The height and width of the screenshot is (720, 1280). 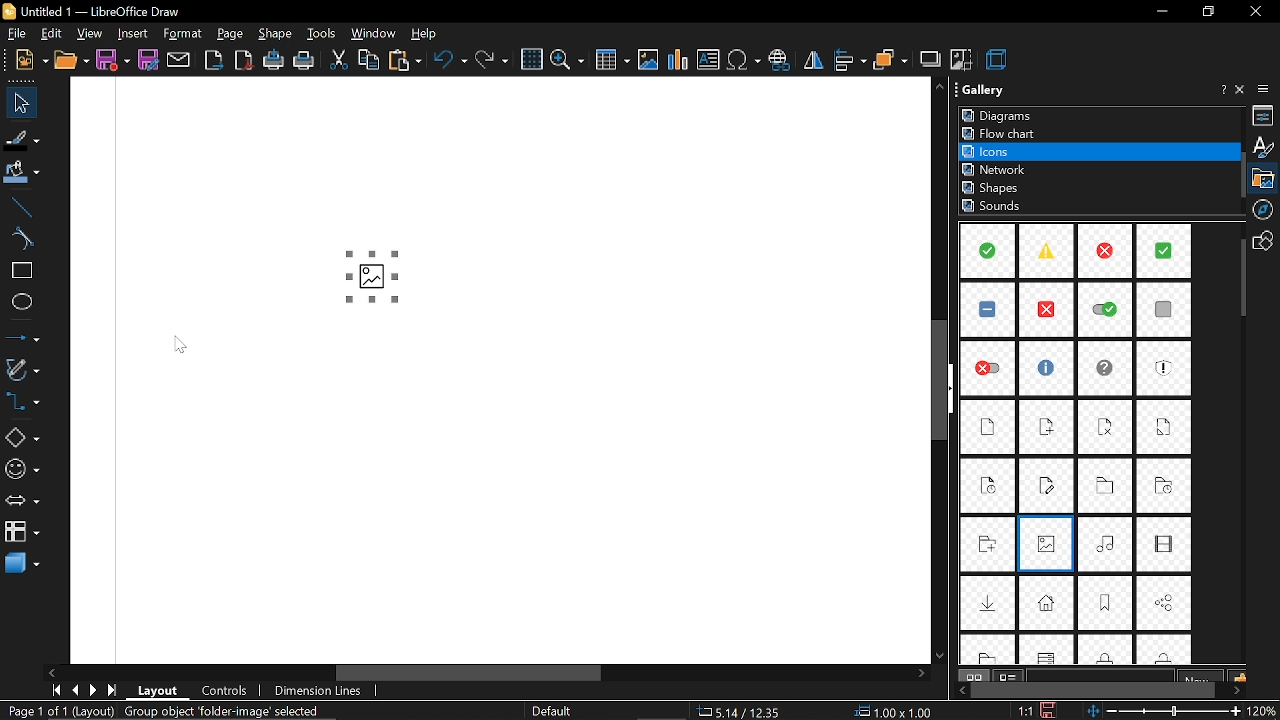 What do you see at coordinates (994, 207) in the screenshot?
I see `sounds` at bounding box center [994, 207].